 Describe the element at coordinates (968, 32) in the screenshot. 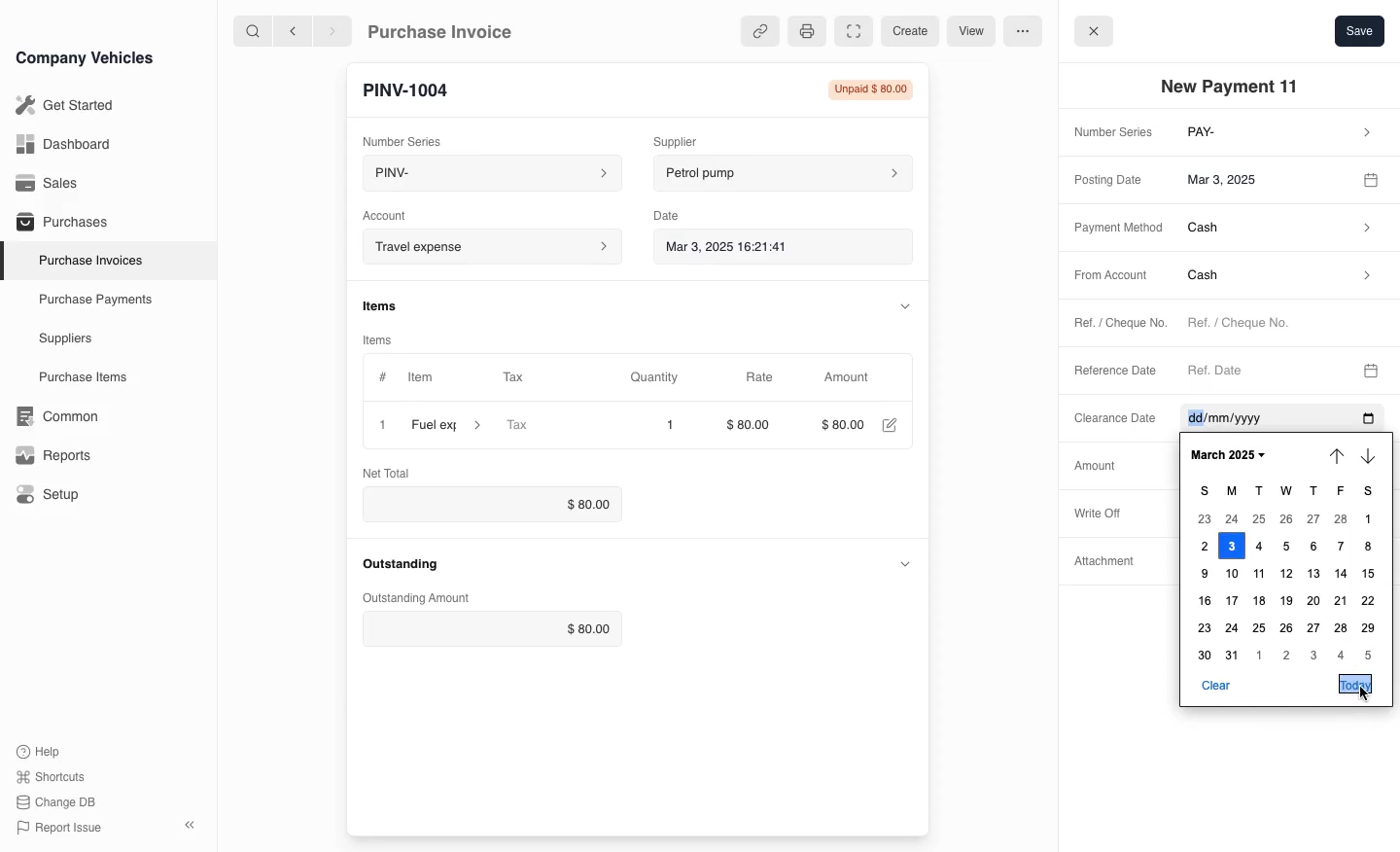

I see `view` at that location.